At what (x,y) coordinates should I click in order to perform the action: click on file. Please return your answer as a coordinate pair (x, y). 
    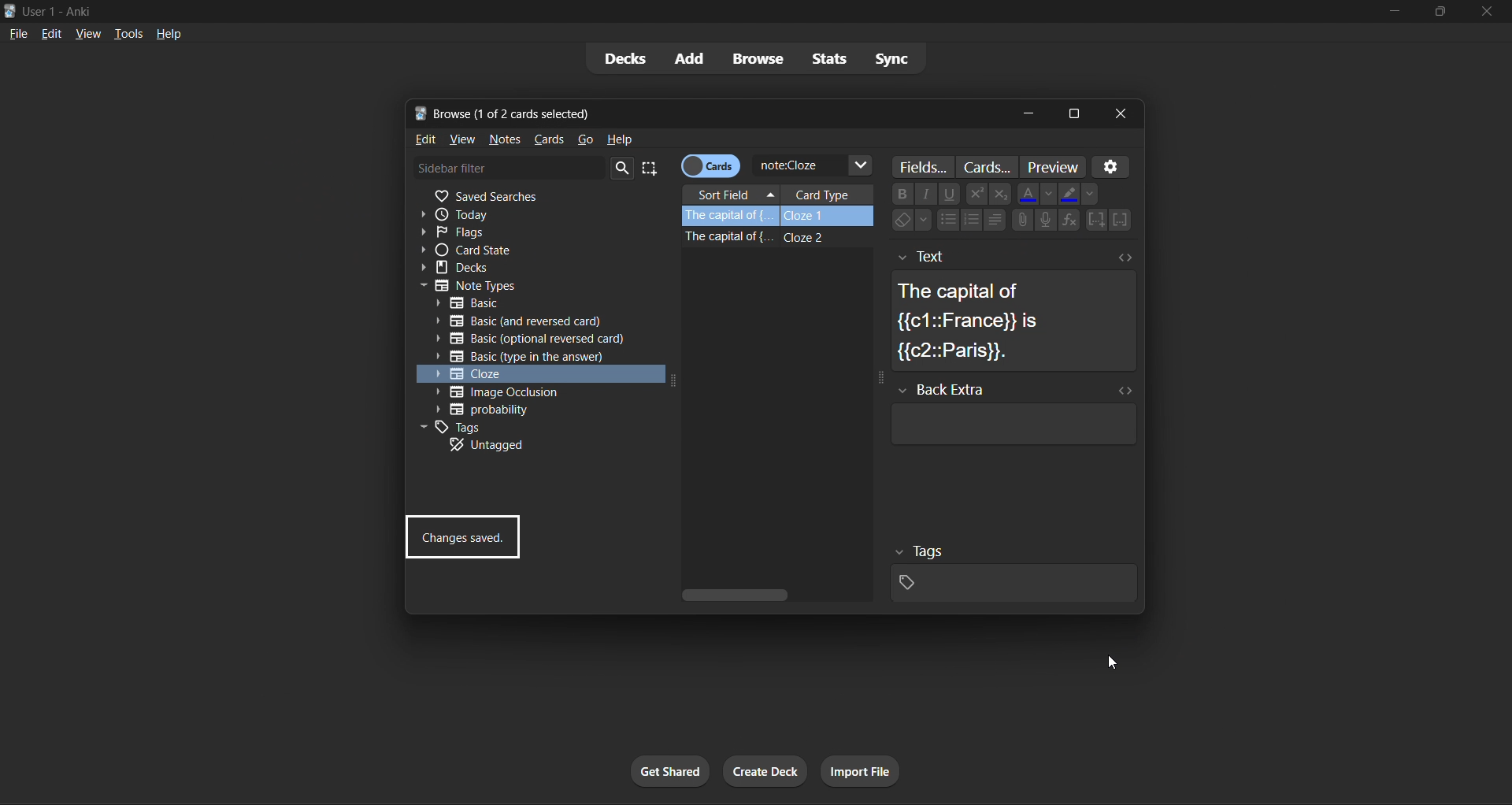
    Looking at the image, I should click on (18, 33).